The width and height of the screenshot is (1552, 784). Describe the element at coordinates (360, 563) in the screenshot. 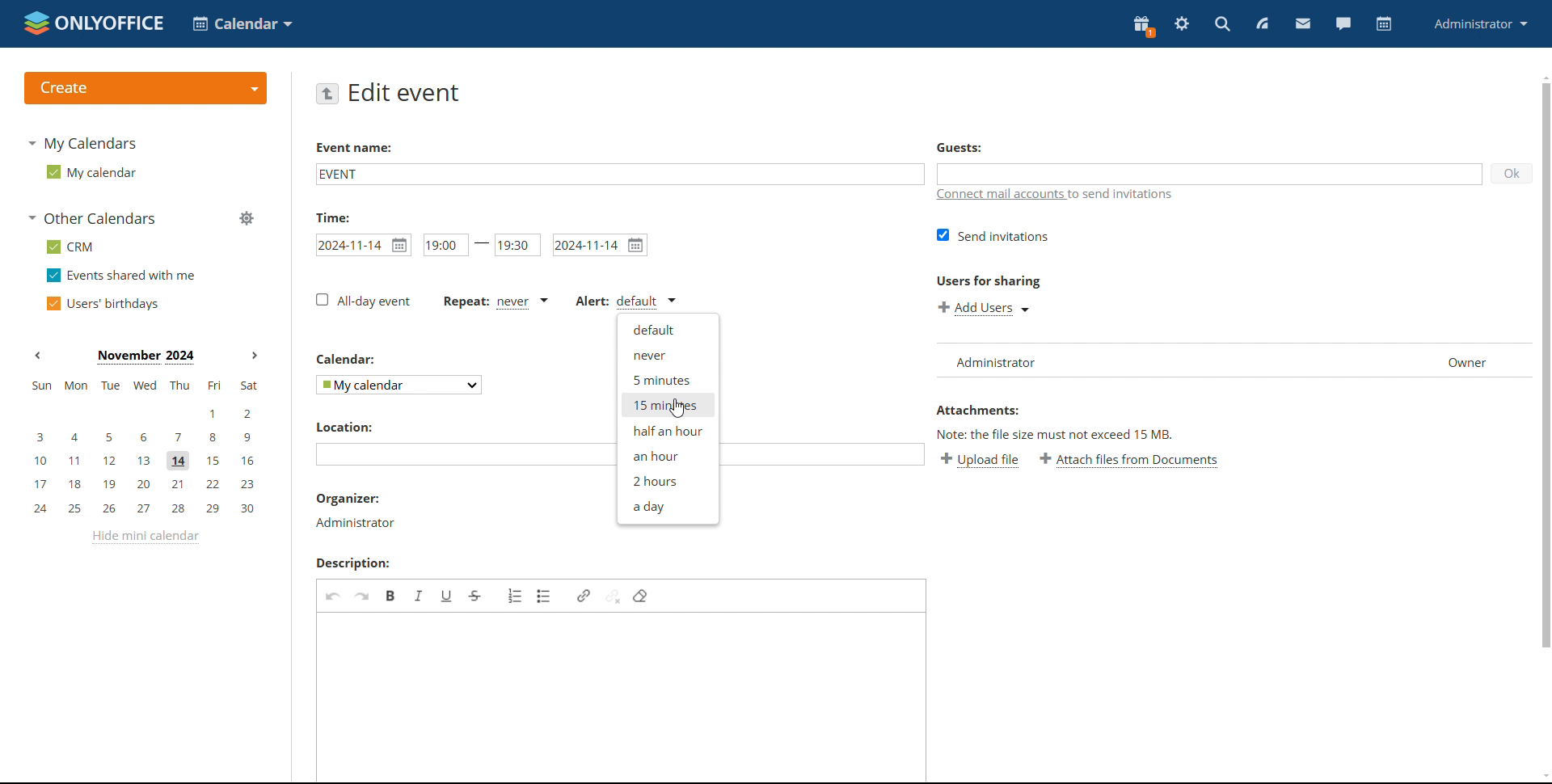

I see `description:` at that location.